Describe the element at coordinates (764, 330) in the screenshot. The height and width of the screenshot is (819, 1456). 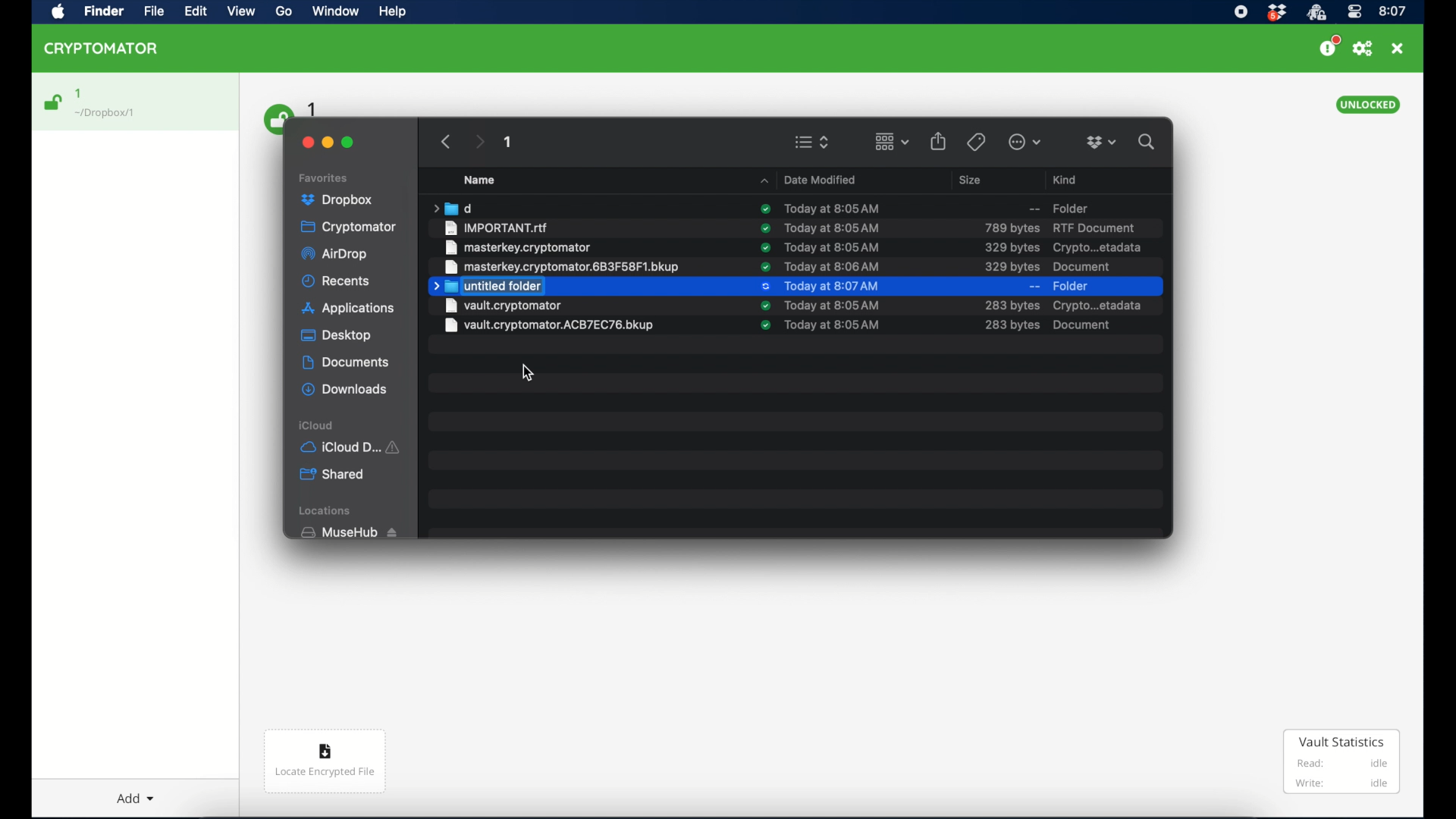
I see `sync` at that location.